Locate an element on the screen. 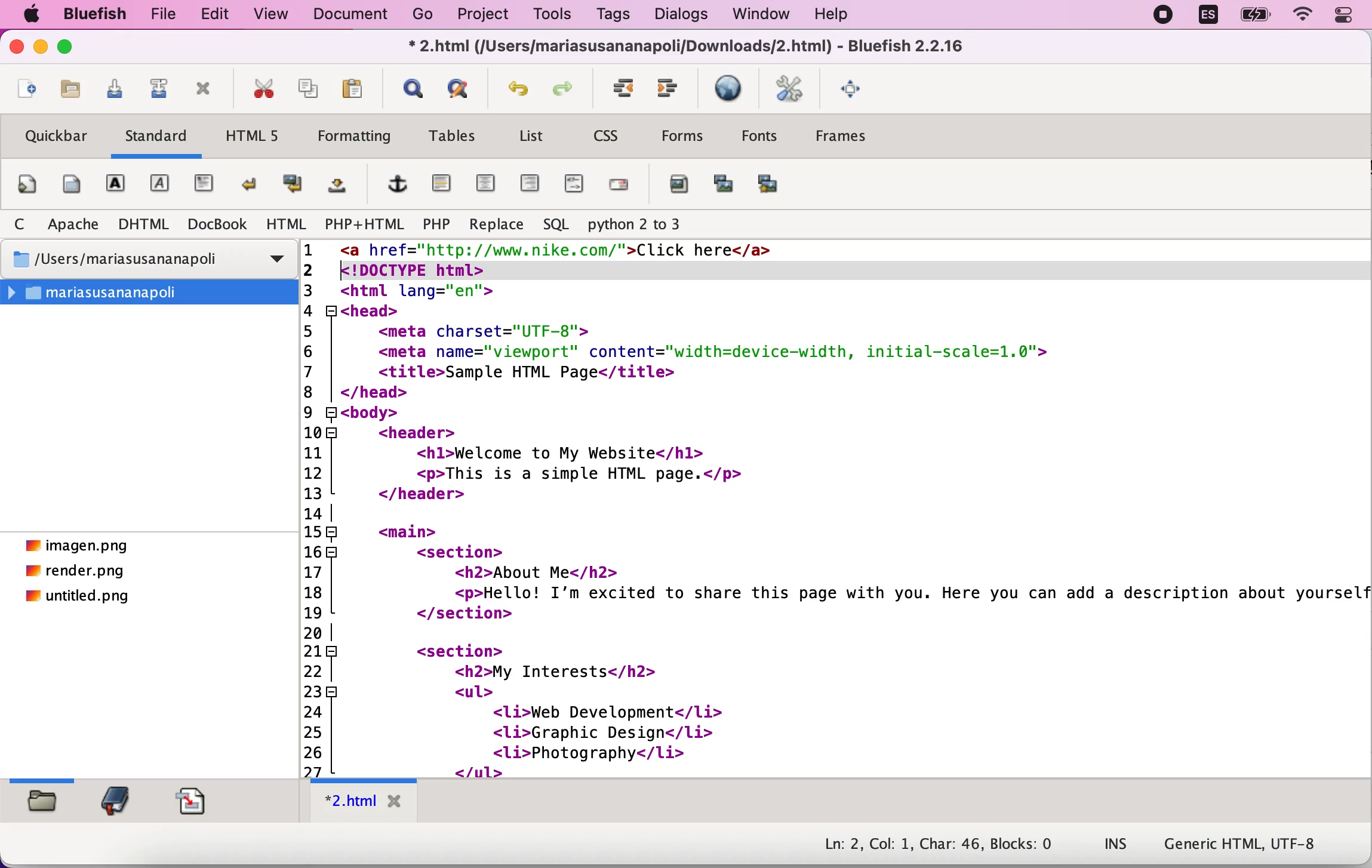  html5 is located at coordinates (257, 140).